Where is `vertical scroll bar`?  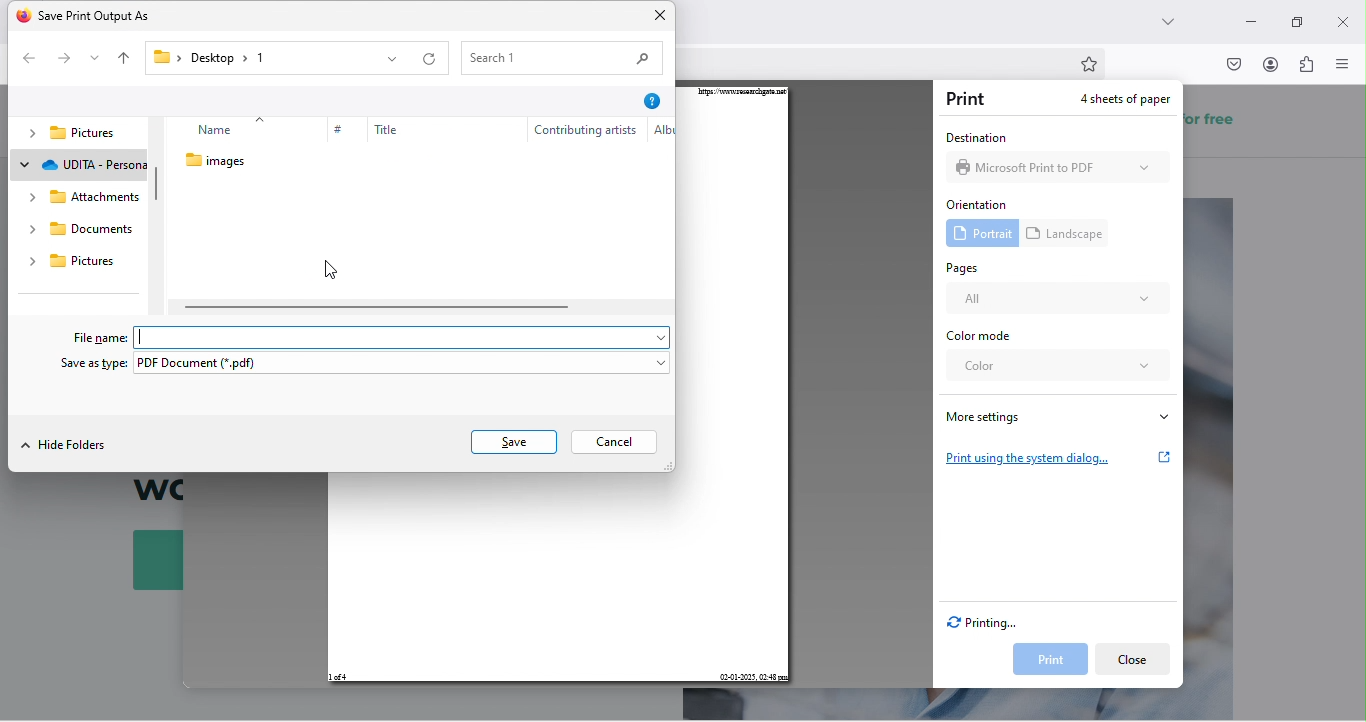
vertical scroll bar is located at coordinates (157, 184).